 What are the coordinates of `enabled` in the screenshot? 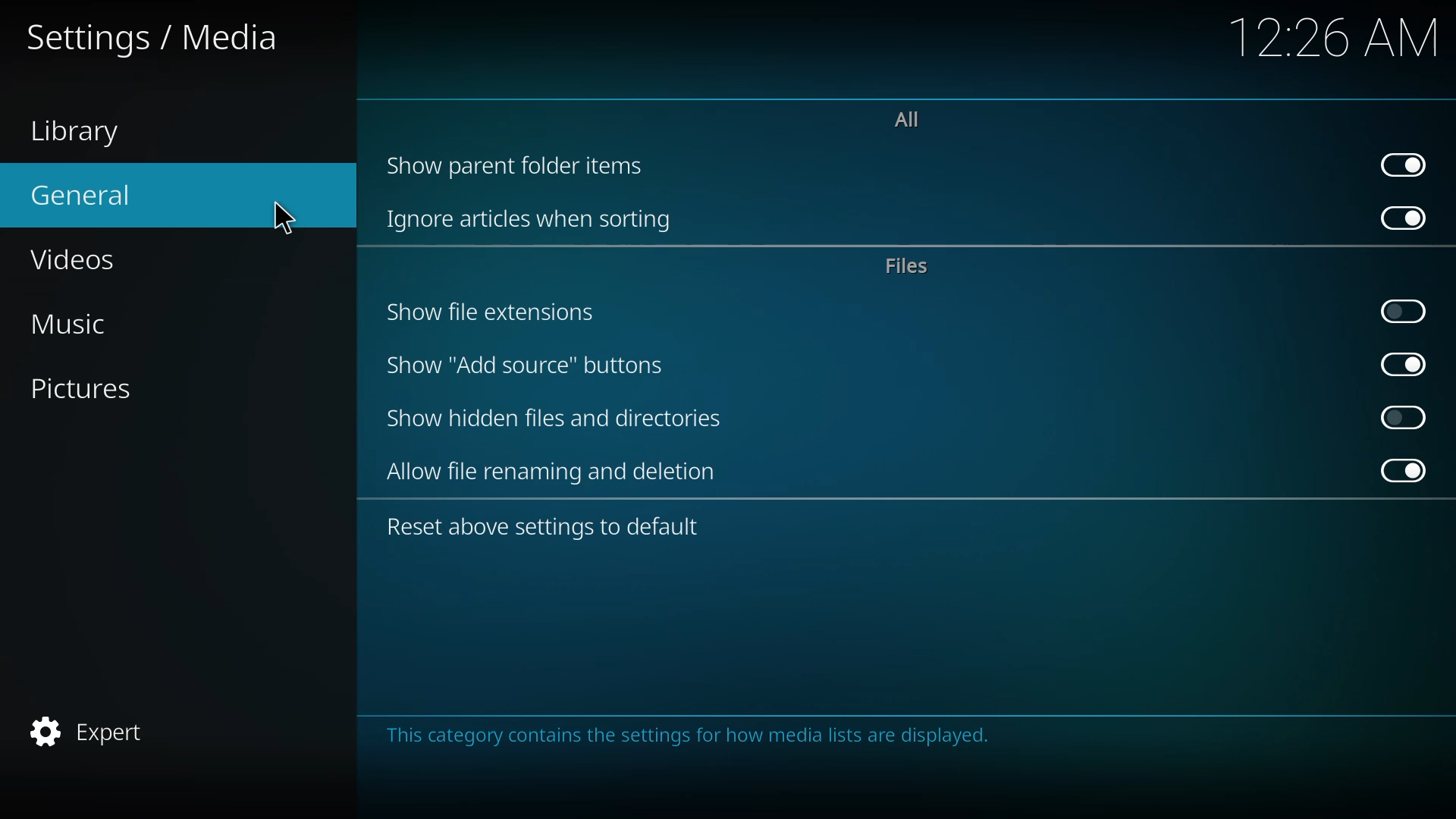 It's located at (1407, 218).